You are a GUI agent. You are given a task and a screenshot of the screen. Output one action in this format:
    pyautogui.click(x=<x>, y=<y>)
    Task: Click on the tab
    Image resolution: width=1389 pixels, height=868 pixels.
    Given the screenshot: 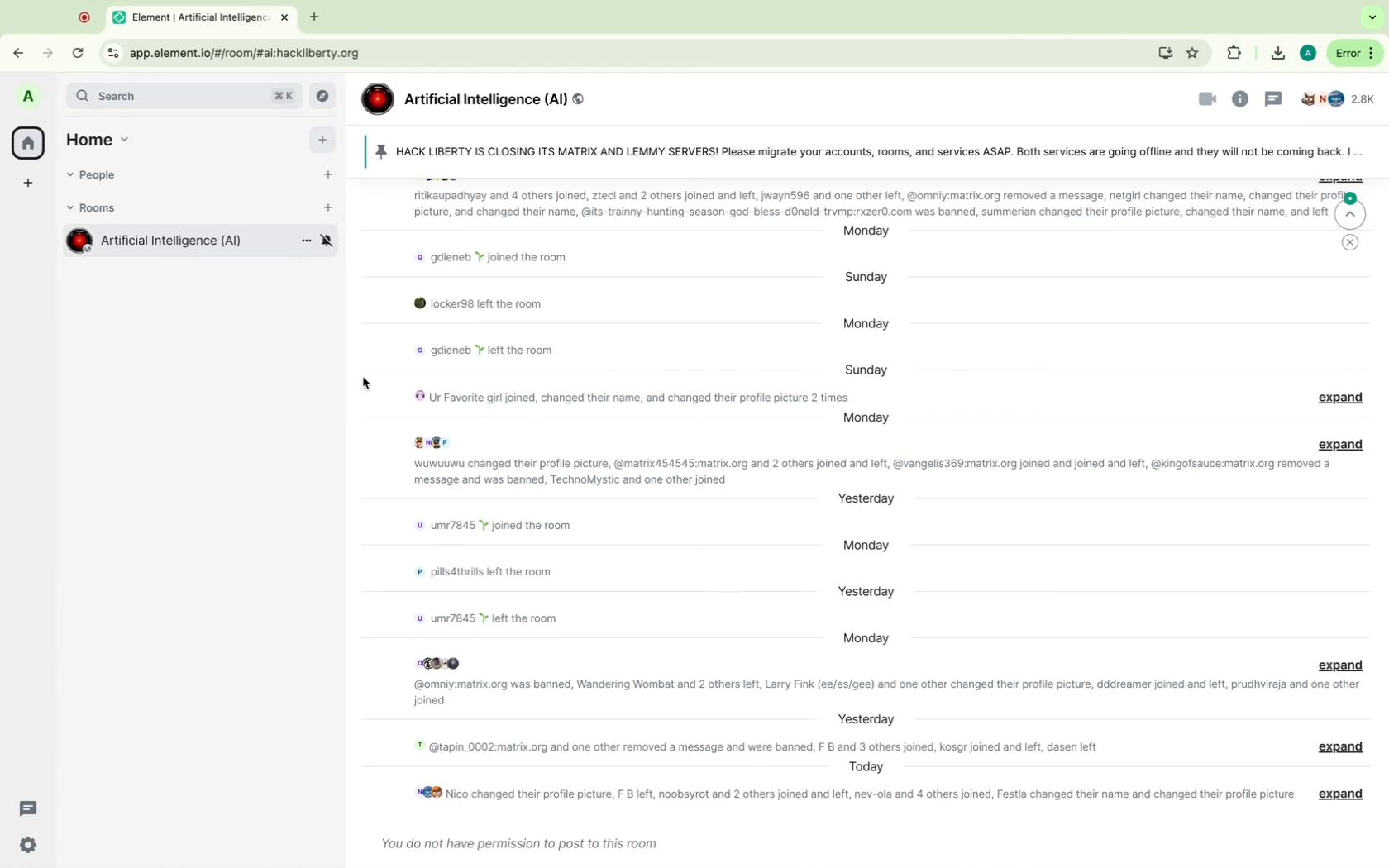 What is the action you would take?
    pyautogui.click(x=193, y=18)
    